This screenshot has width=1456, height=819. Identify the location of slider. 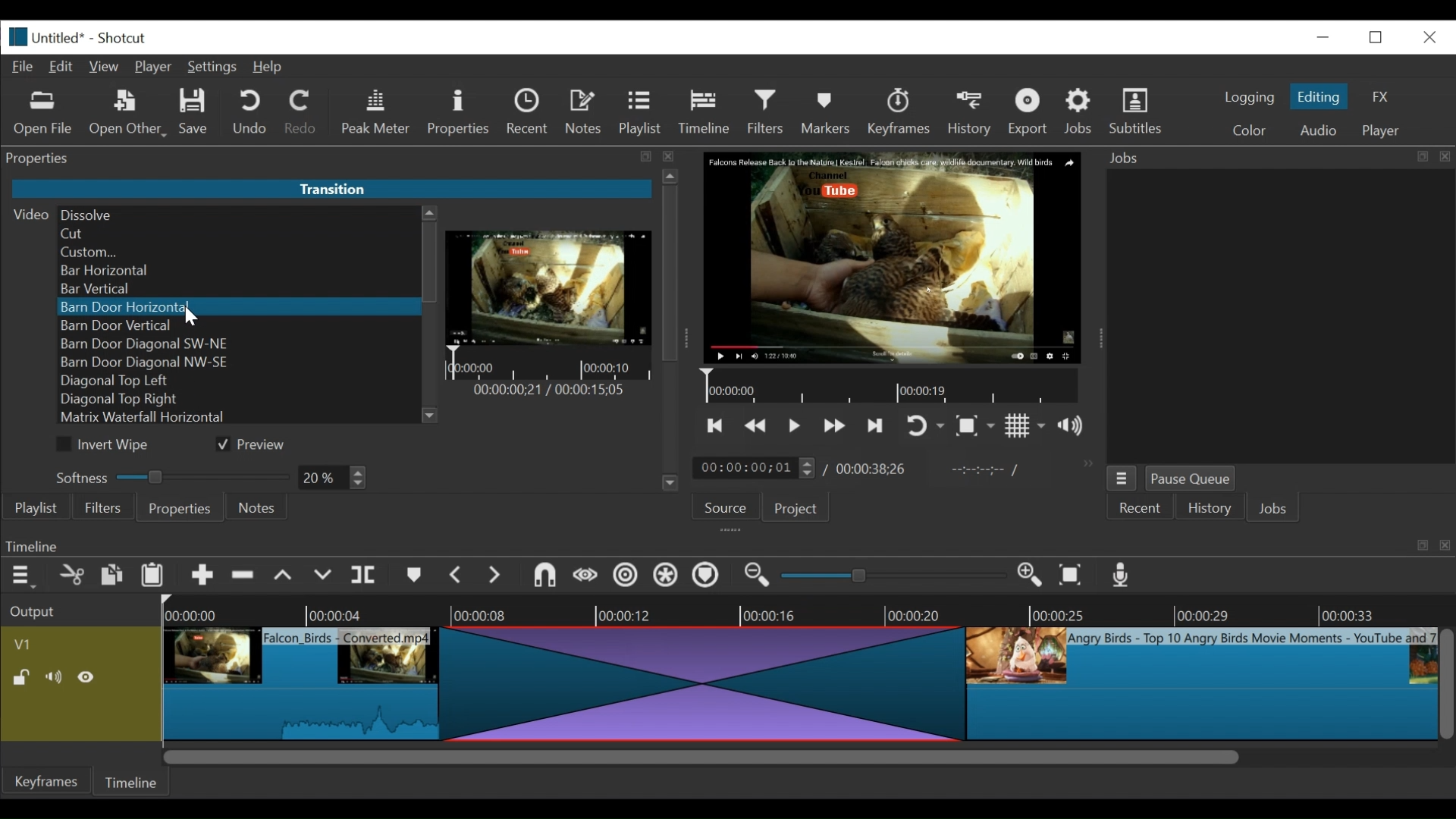
(889, 576).